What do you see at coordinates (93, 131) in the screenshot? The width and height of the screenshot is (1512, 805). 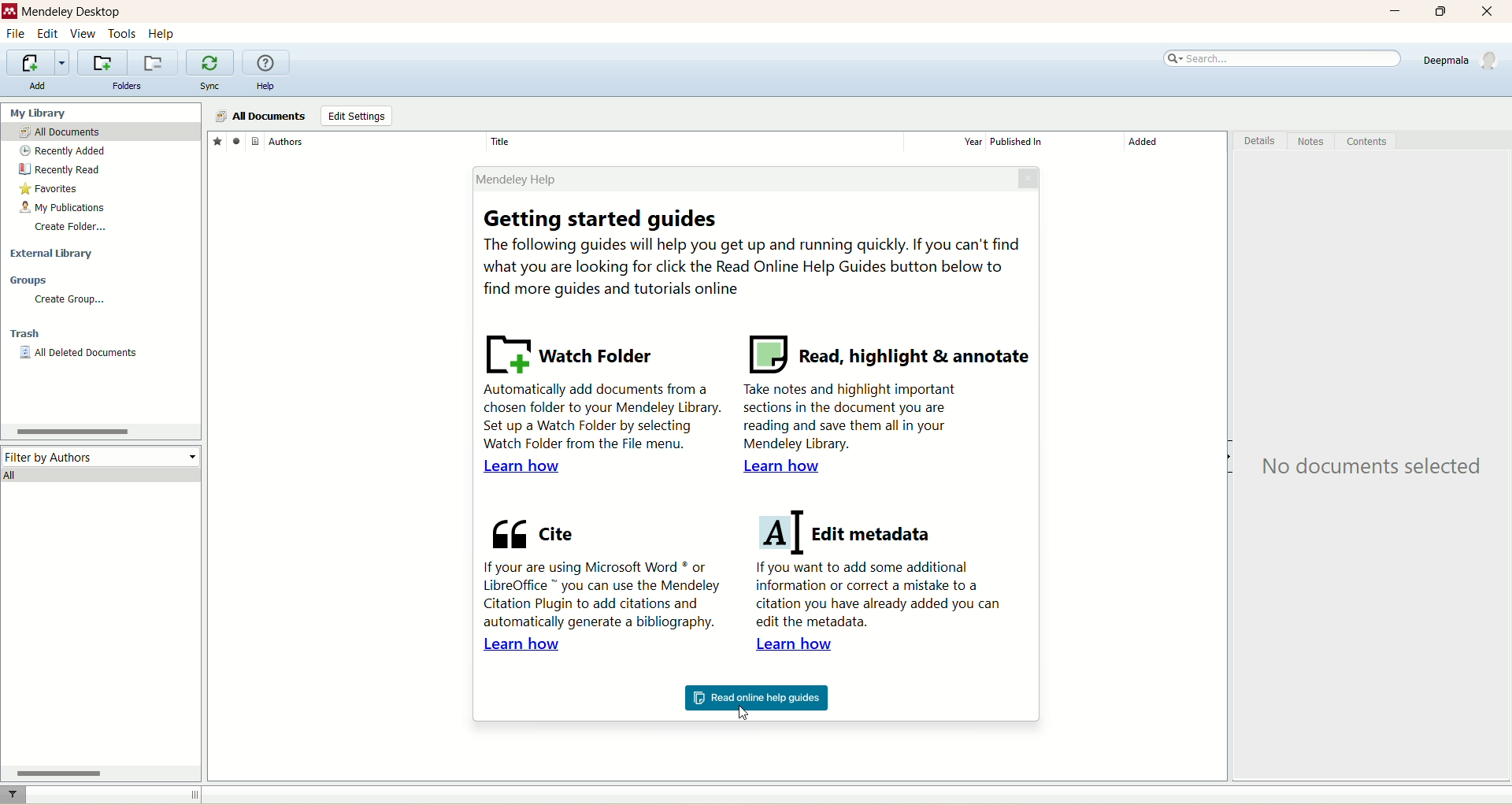 I see `all documents` at bounding box center [93, 131].